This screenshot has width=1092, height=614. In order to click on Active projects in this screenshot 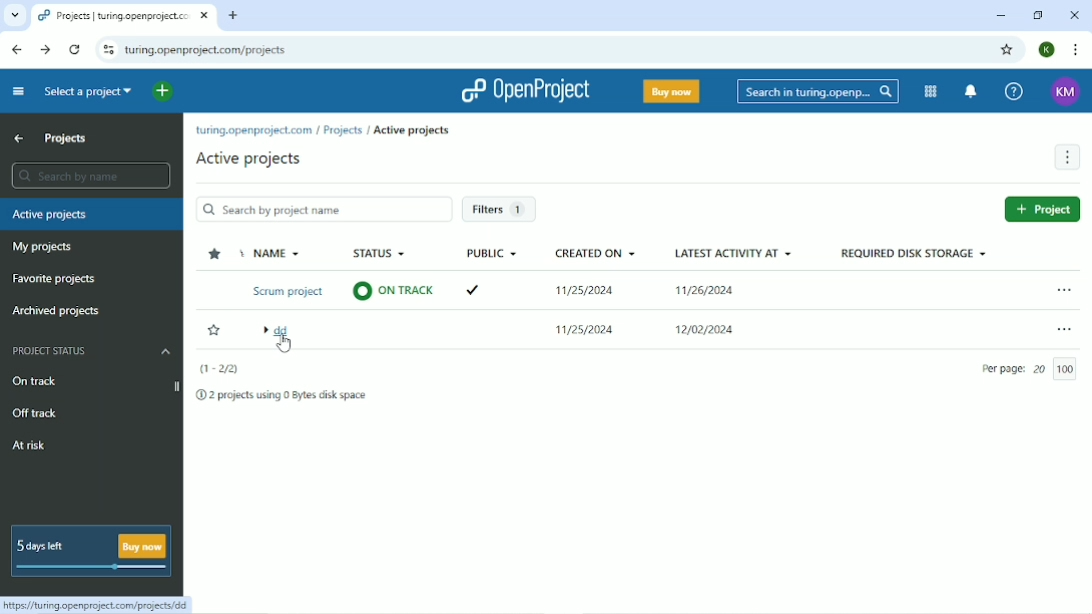, I will do `click(413, 130)`.